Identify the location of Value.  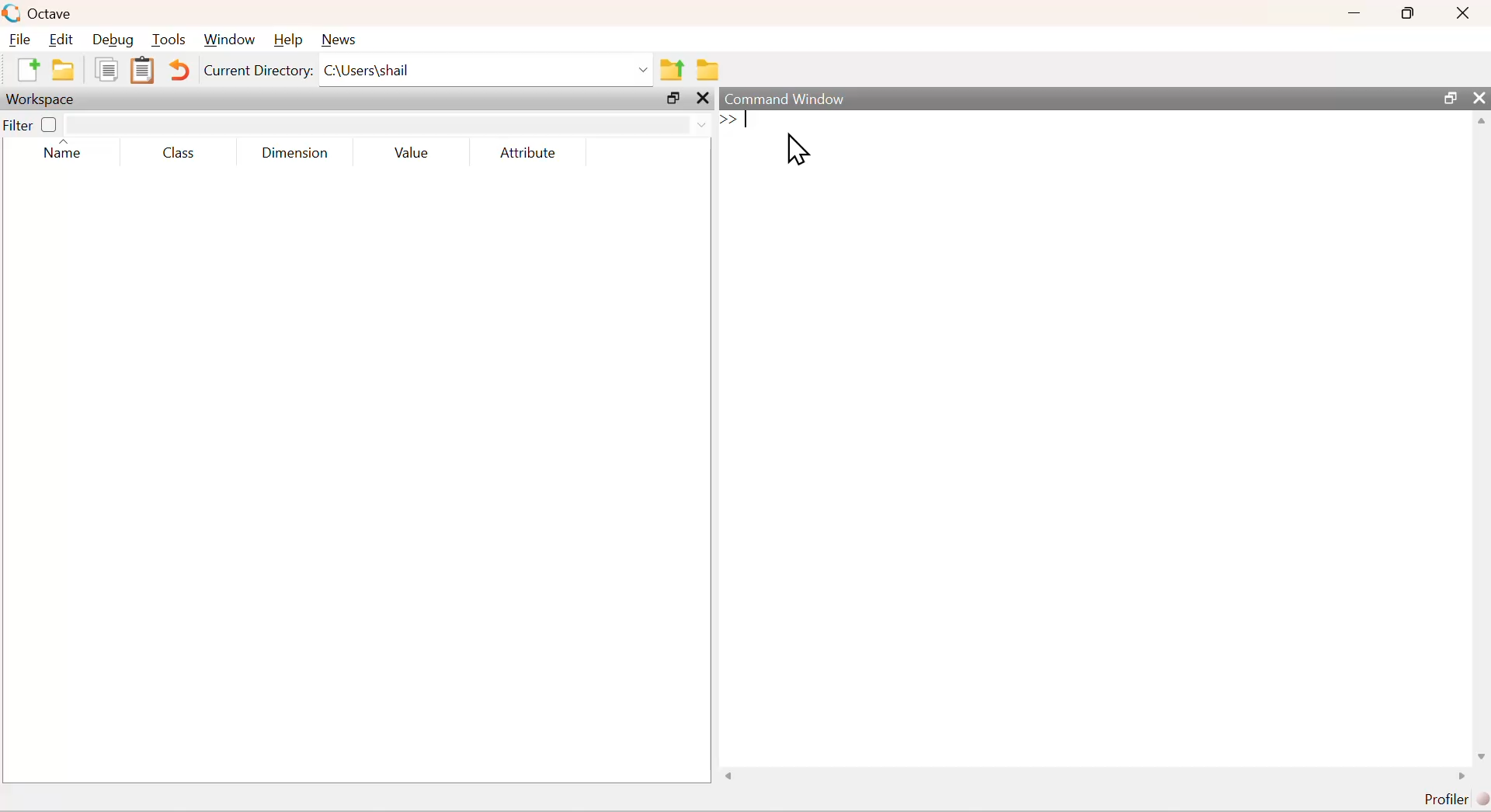
(414, 151).